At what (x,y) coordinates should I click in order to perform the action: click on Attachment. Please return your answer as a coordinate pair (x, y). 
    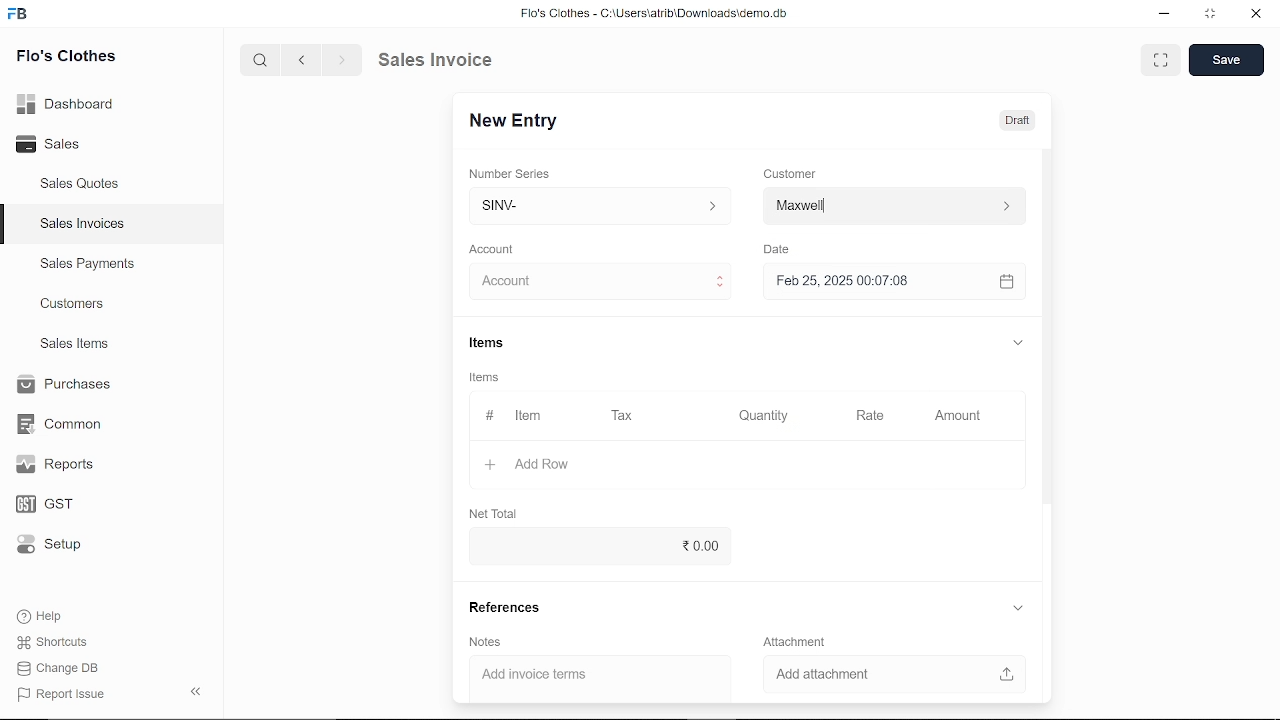
    Looking at the image, I should click on (798, 642).